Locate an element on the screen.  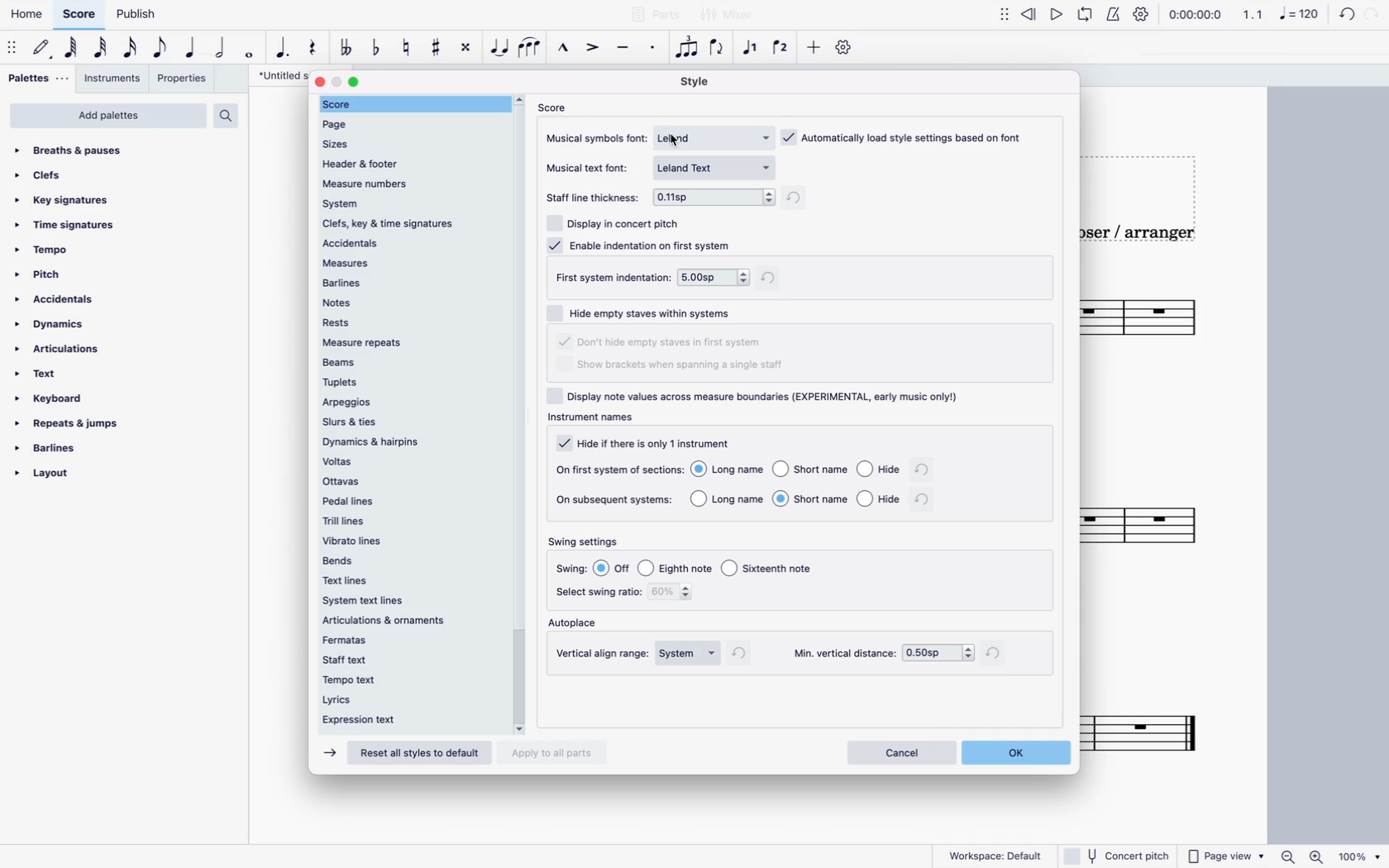
play is located at coordinates (1091, 11).